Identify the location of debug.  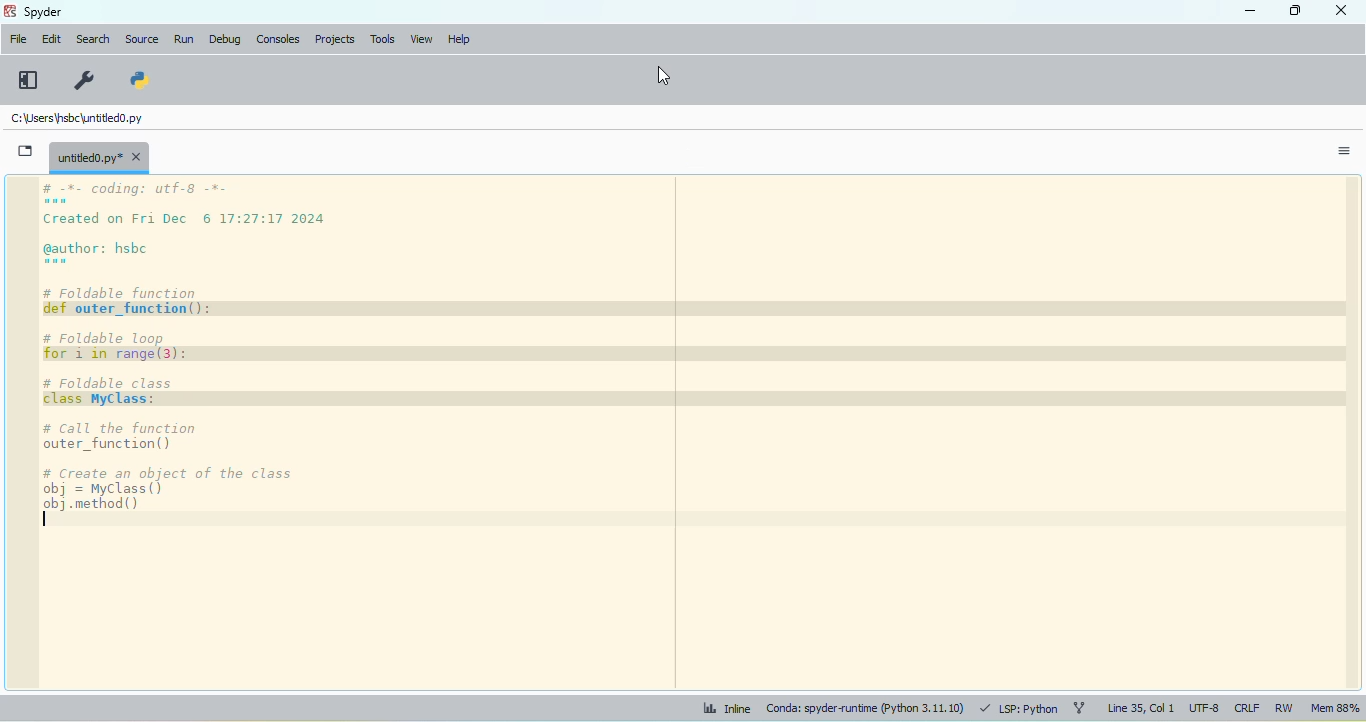
(225, 41).